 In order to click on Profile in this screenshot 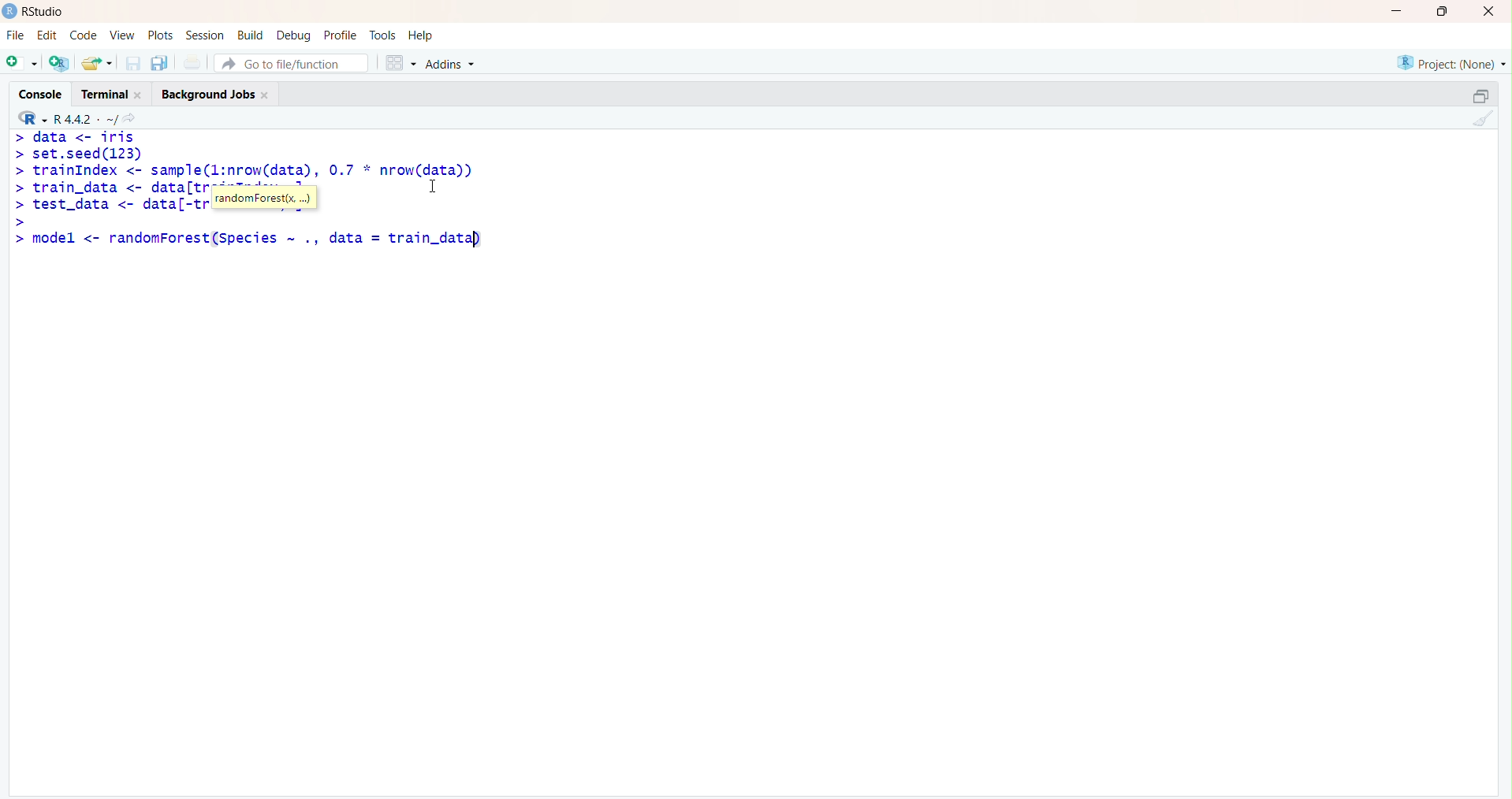, I will do `click(340, 35)`.